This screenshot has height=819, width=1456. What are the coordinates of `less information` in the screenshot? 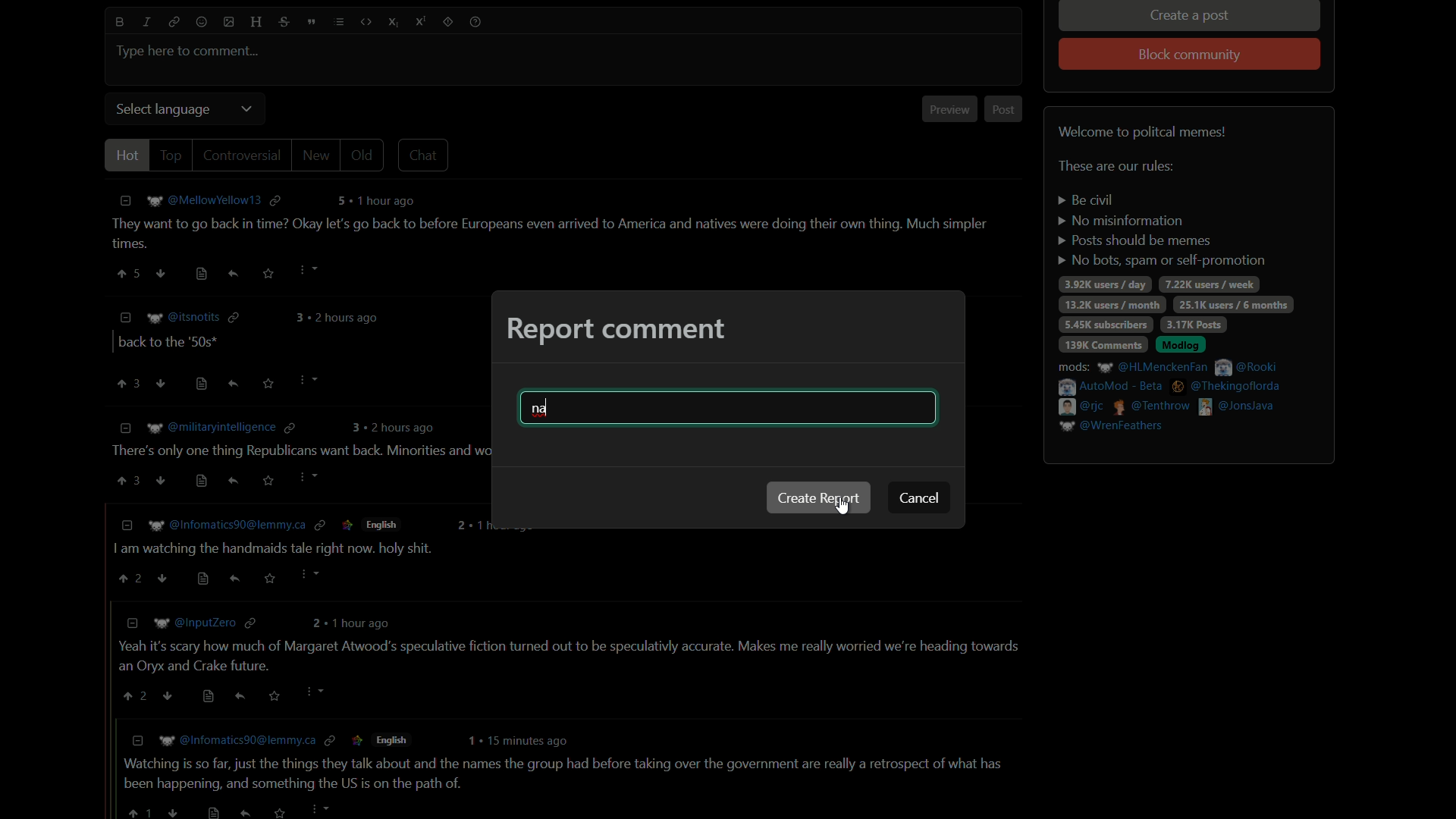 It's located at (126, 316).